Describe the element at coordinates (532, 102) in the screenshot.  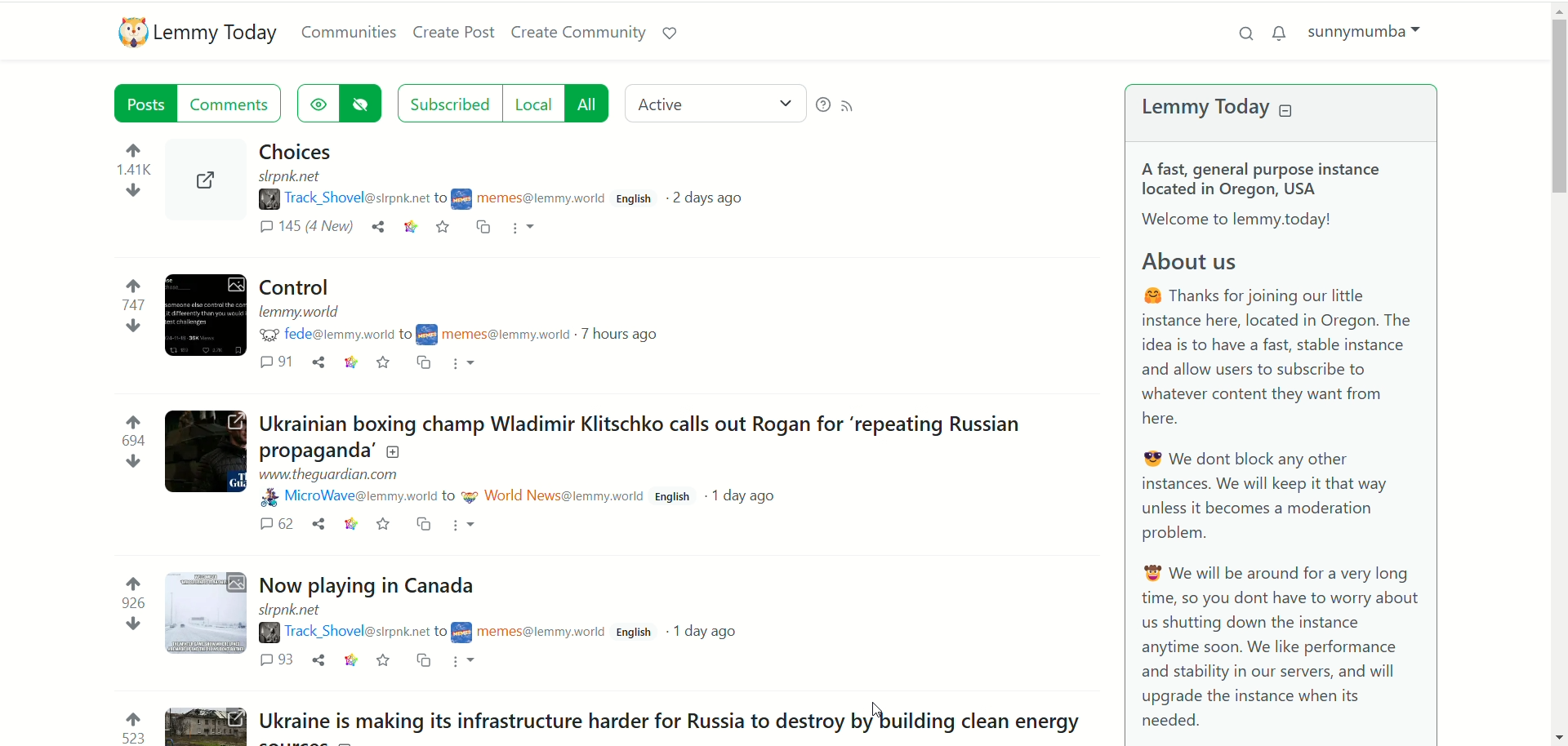
I see `local` at that location.